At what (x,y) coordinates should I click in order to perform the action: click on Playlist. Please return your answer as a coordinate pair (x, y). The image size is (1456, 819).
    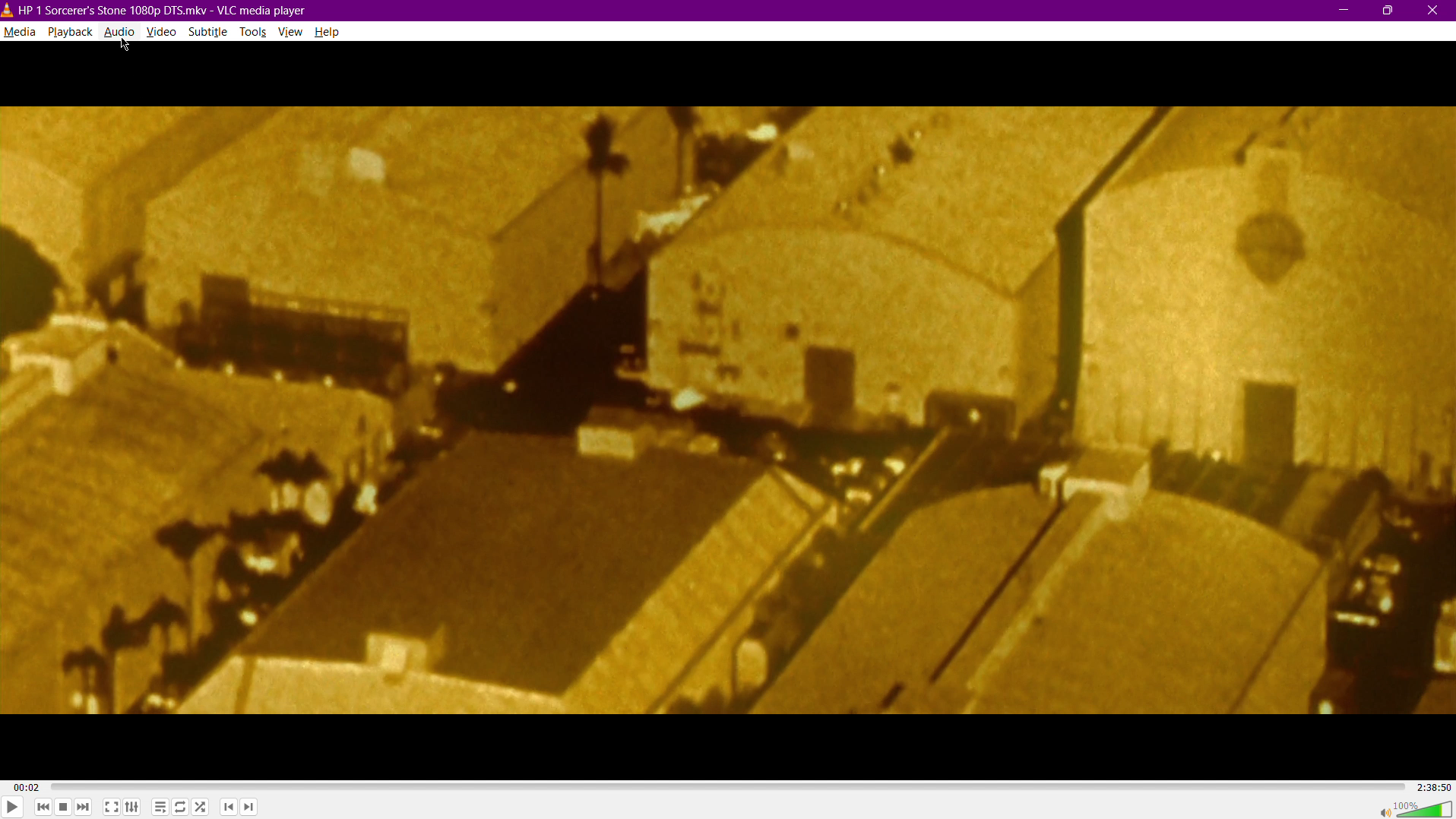
    Looking at the image, I should click on (158, 808).